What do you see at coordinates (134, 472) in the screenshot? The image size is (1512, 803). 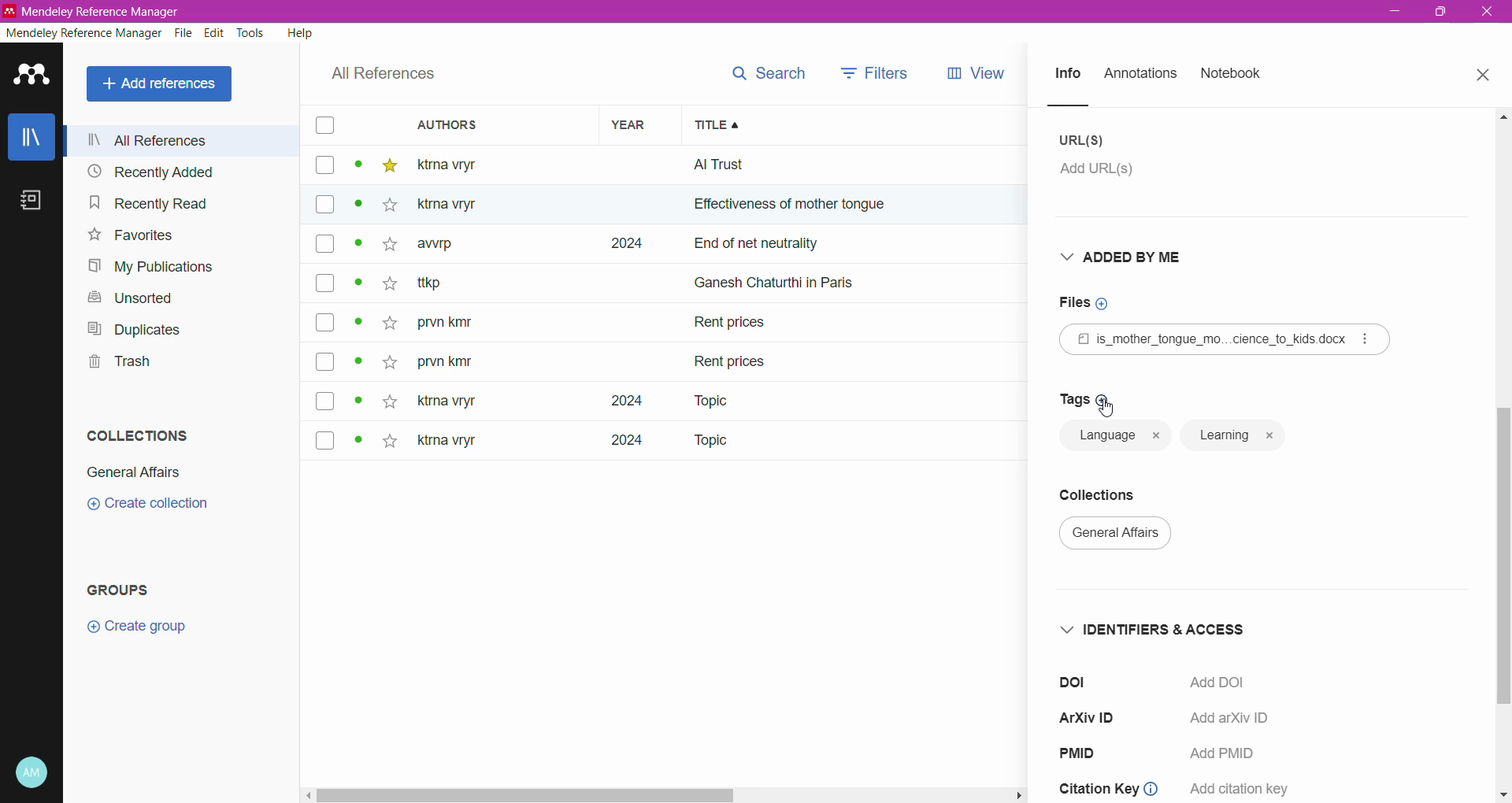 I see `General Affairs` at bounding box center [134, 472].